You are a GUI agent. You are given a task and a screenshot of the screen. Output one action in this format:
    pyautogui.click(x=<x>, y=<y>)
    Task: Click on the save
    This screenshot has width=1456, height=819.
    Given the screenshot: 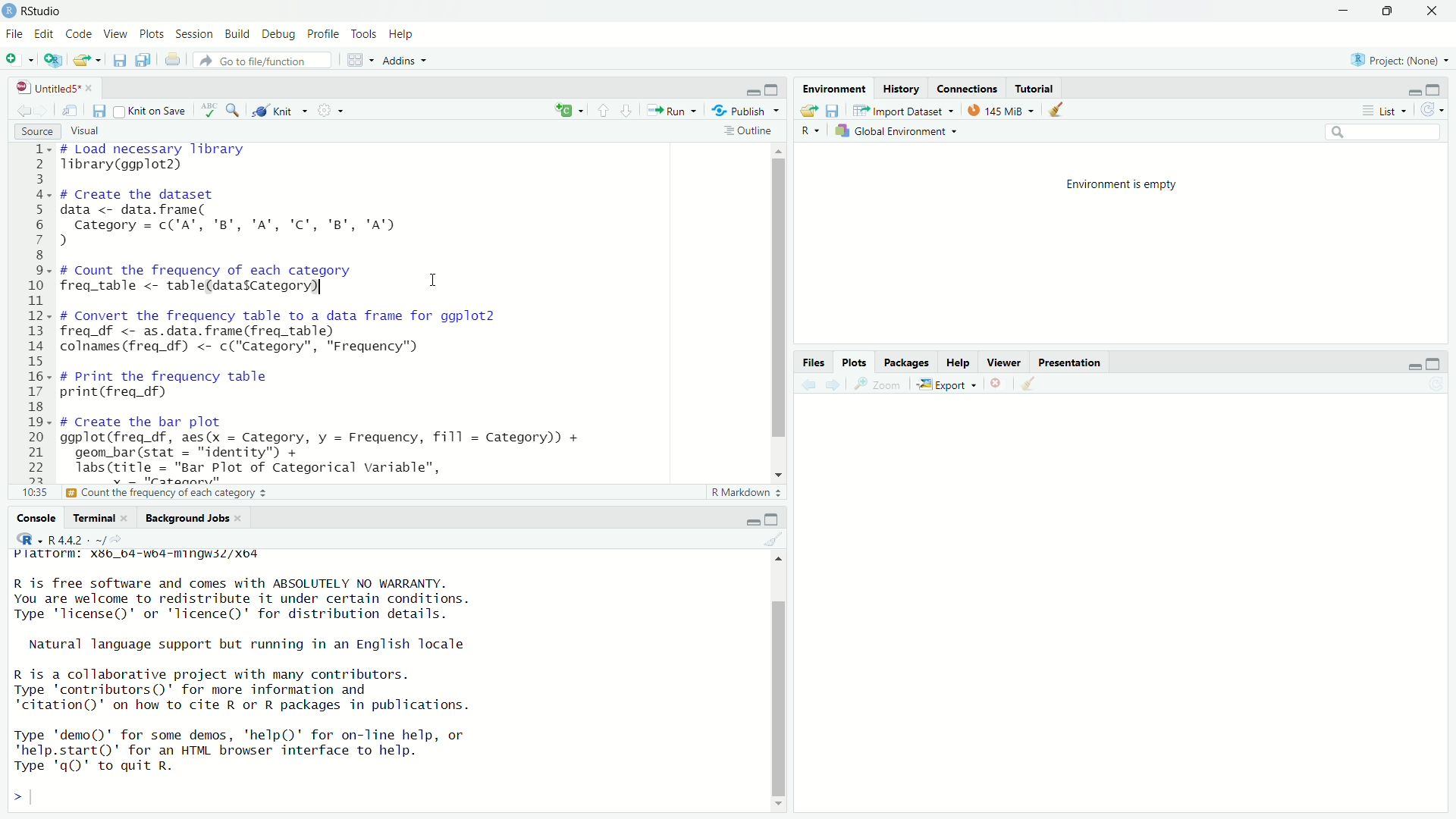 What is the action you would take?
    pyautogui.click(x=834, y=111)
    